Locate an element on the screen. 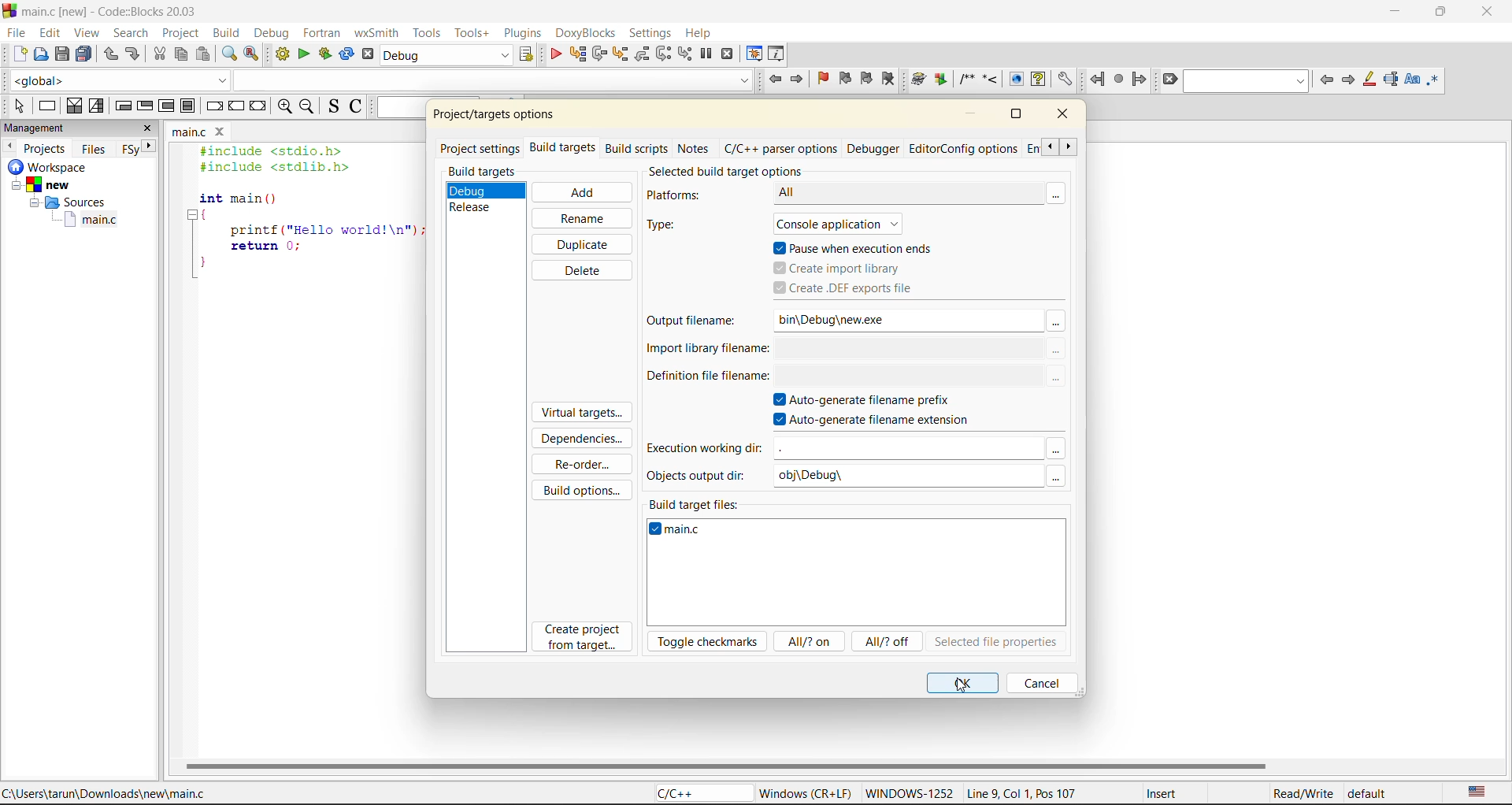  text to find is located at coordinates (1247, 81).